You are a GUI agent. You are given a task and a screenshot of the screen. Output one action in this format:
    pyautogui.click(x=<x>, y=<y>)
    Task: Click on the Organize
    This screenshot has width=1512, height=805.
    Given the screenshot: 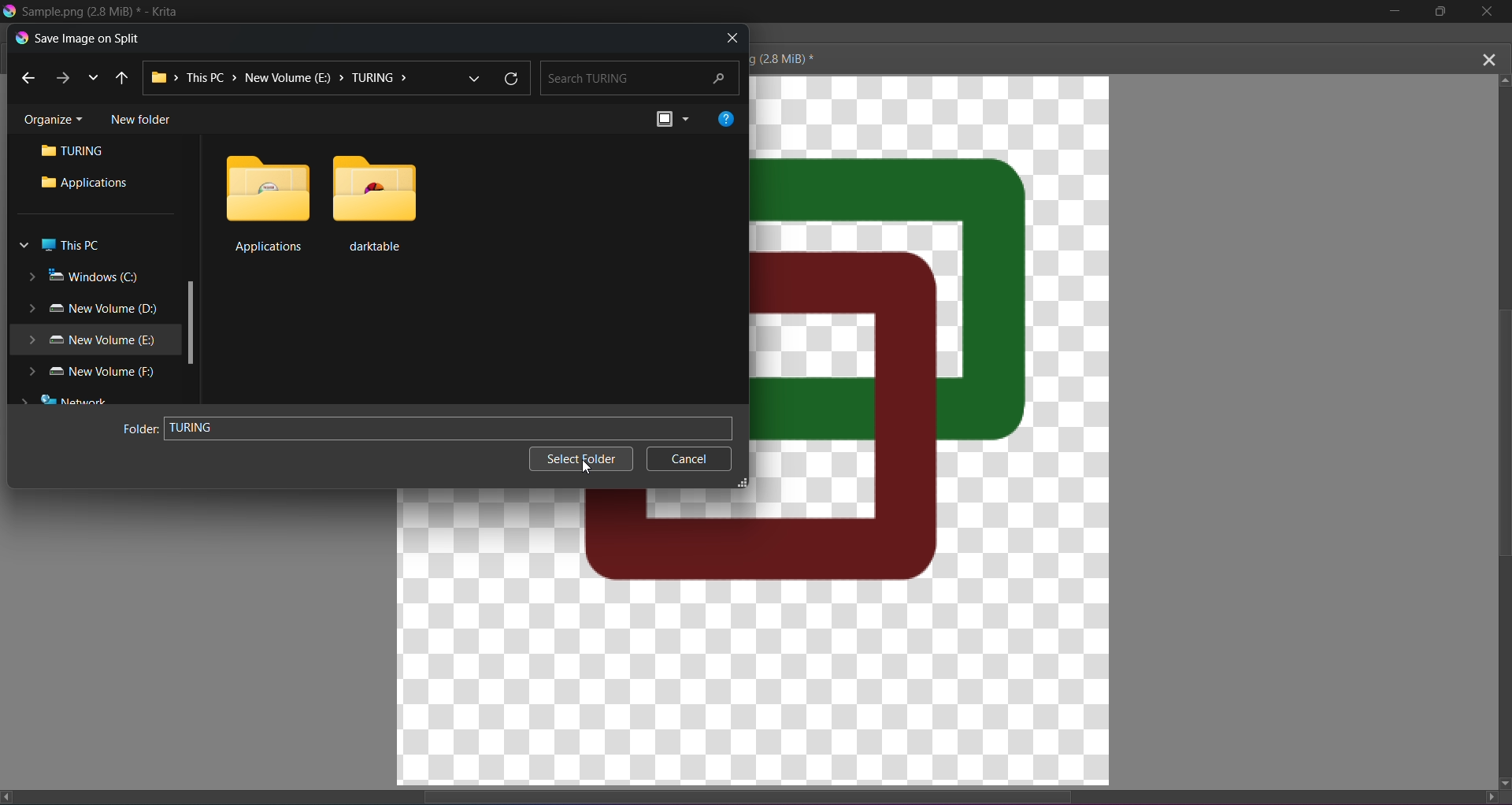 What is the action you would take?
    pyautogui.click(x=51, y=119)
    